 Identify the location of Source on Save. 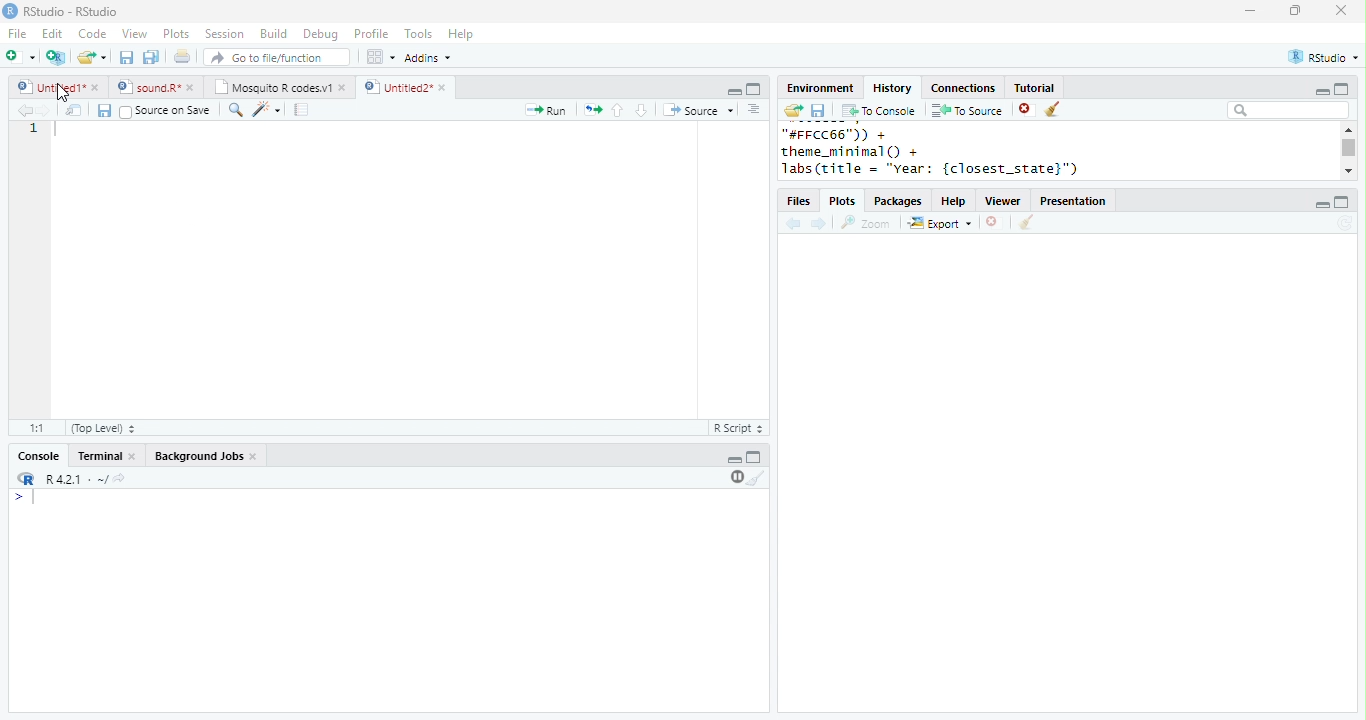
(165, 111).